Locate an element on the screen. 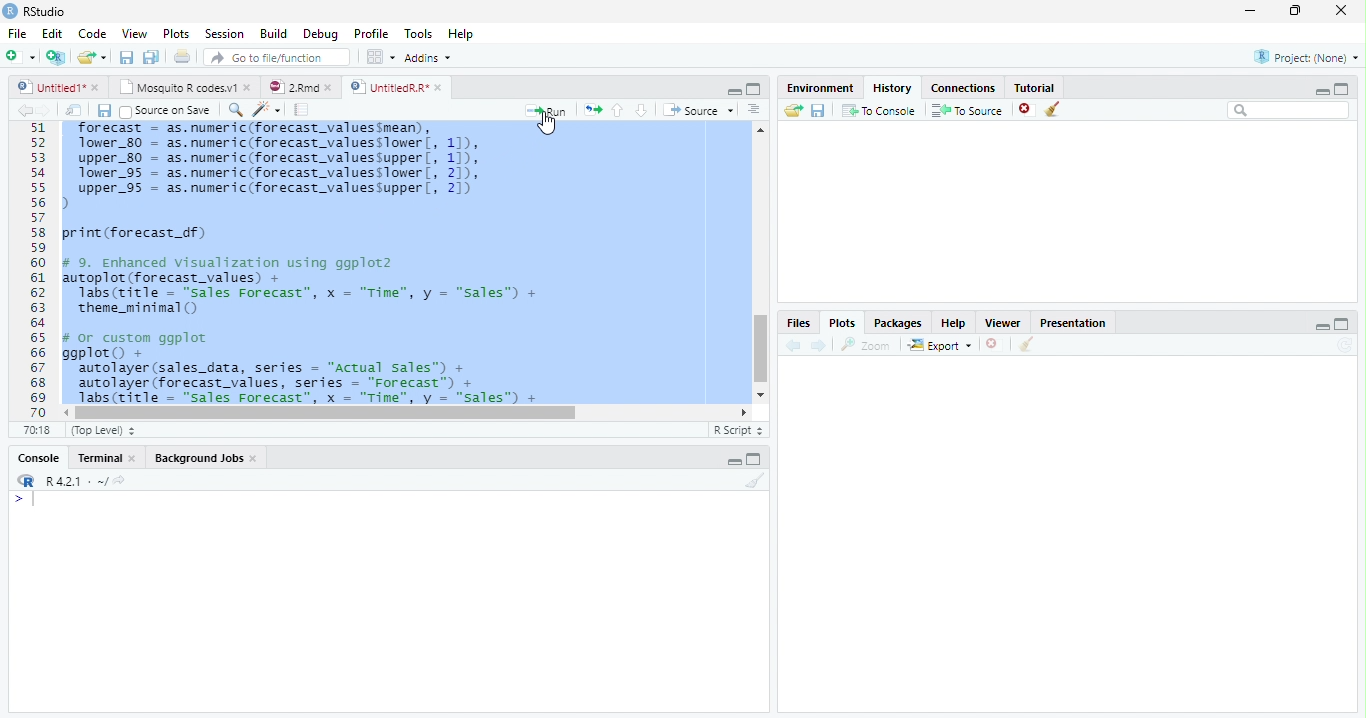  Clean is located at coordinates (1026, 345).